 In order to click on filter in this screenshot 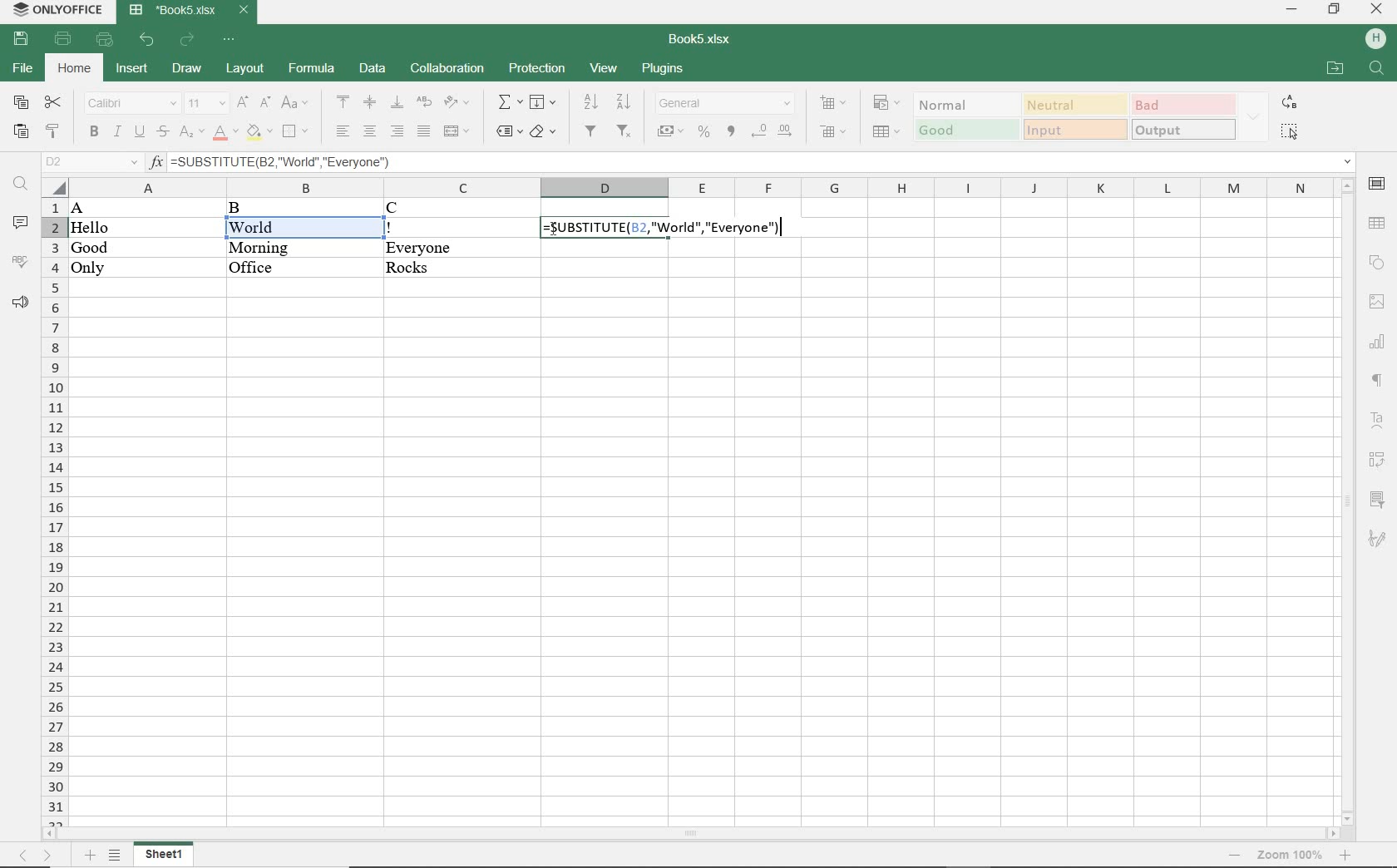, I will do `click(590, 133)`.